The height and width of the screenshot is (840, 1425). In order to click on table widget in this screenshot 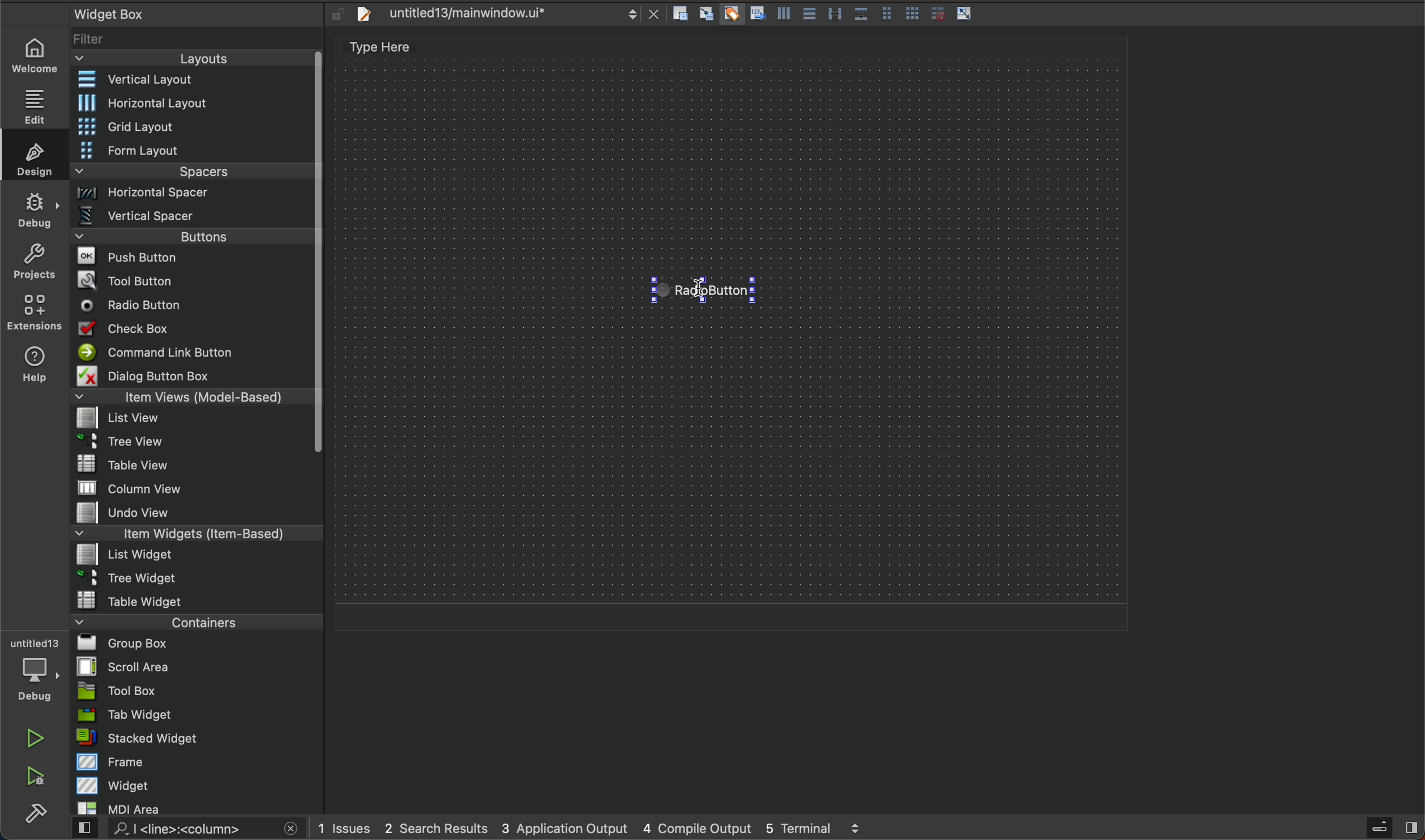, I will do `click(198, 600)`.